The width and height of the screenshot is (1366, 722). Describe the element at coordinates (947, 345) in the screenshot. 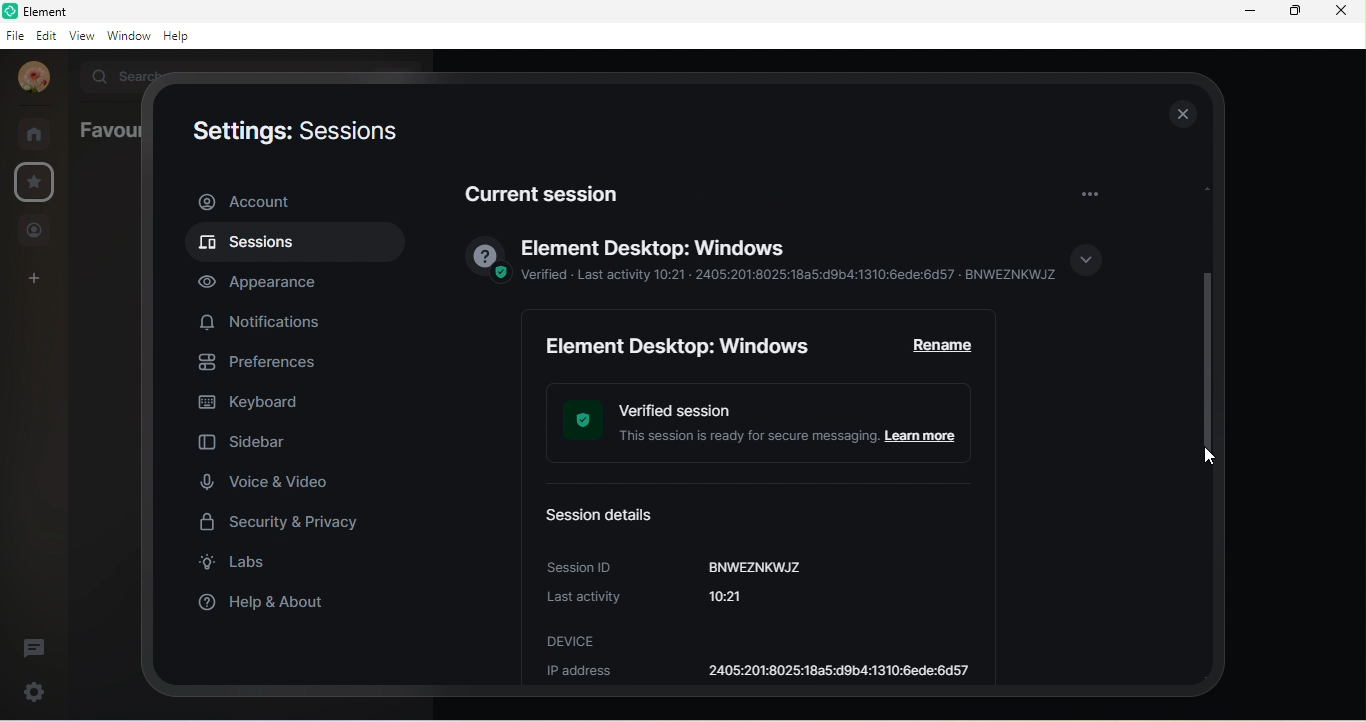

I see `rename` at that location.